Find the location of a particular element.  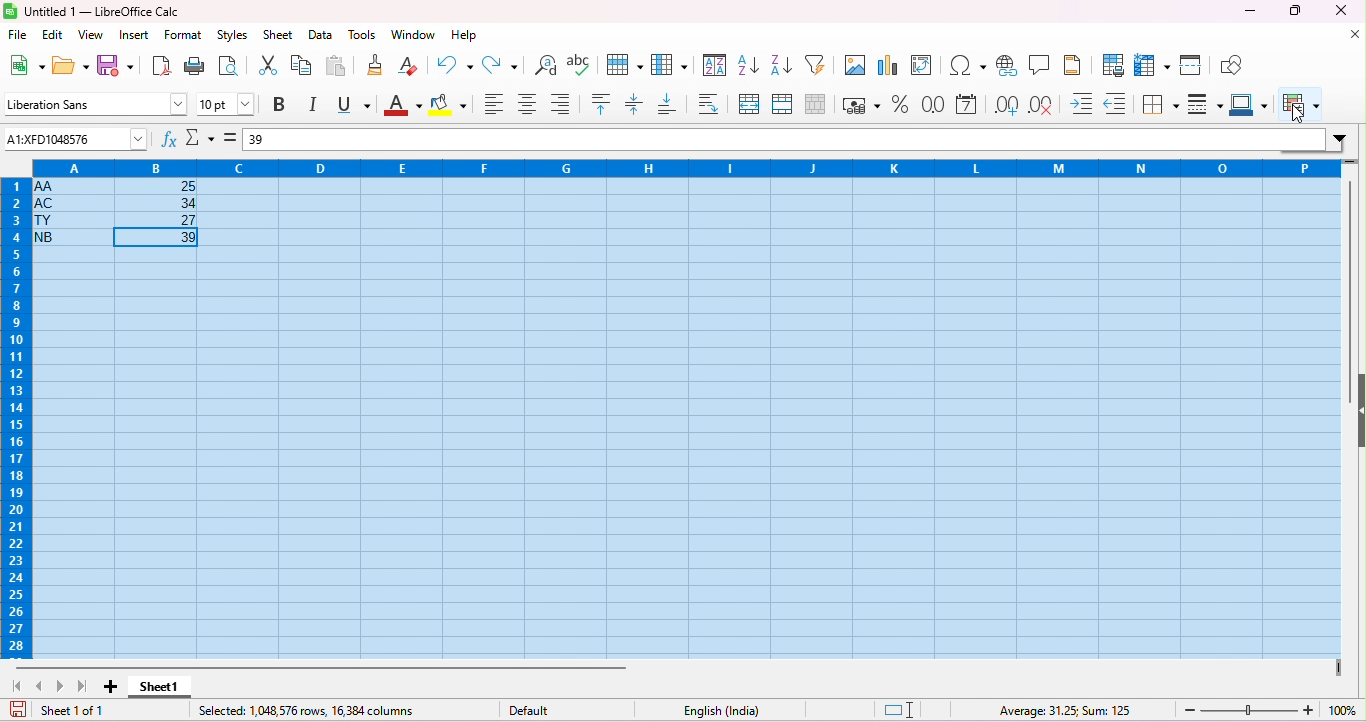

underline is located at coordinates (353, 105).